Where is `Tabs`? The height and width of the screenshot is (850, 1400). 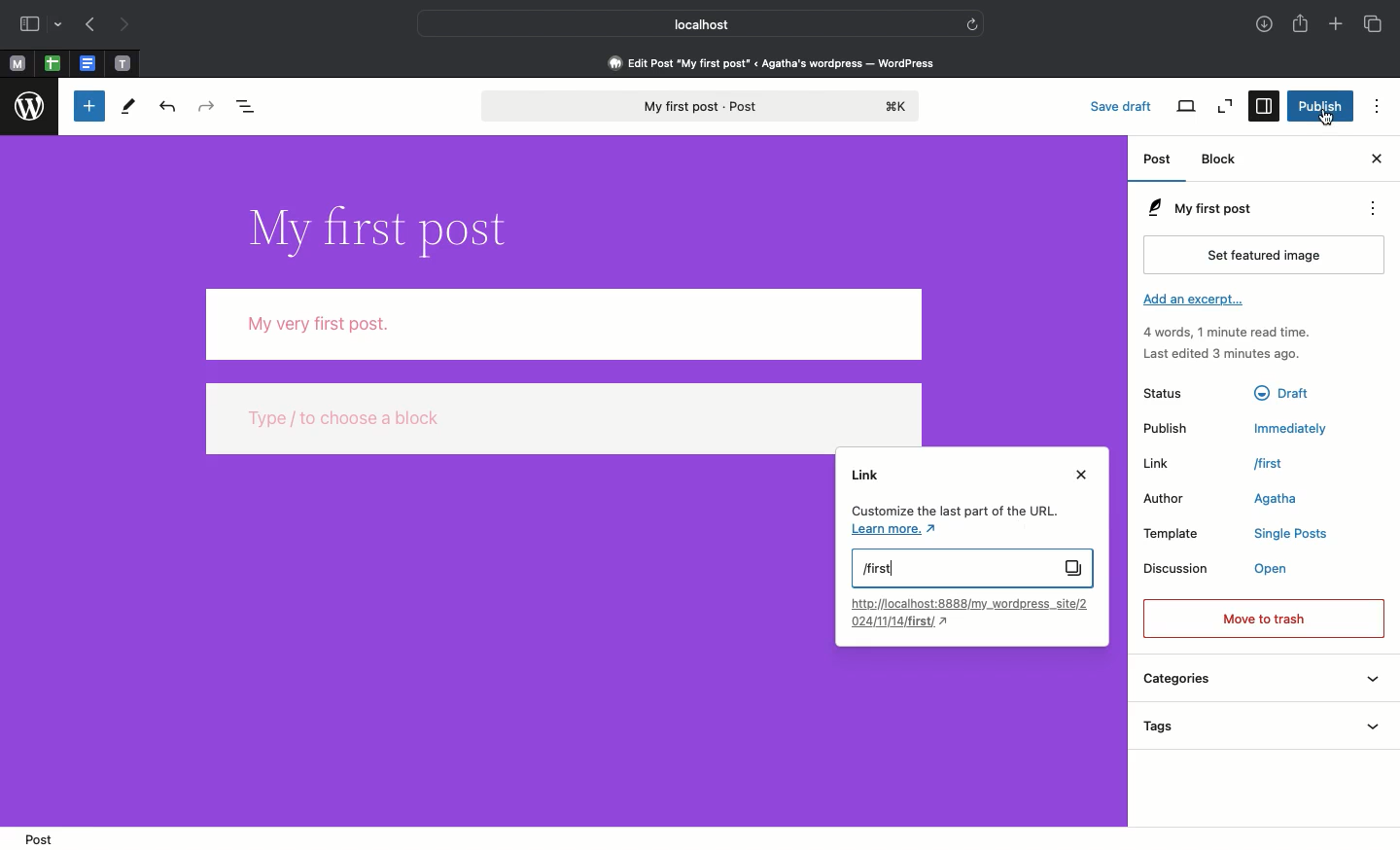 Tabs is located at coordinates (1376, 24).